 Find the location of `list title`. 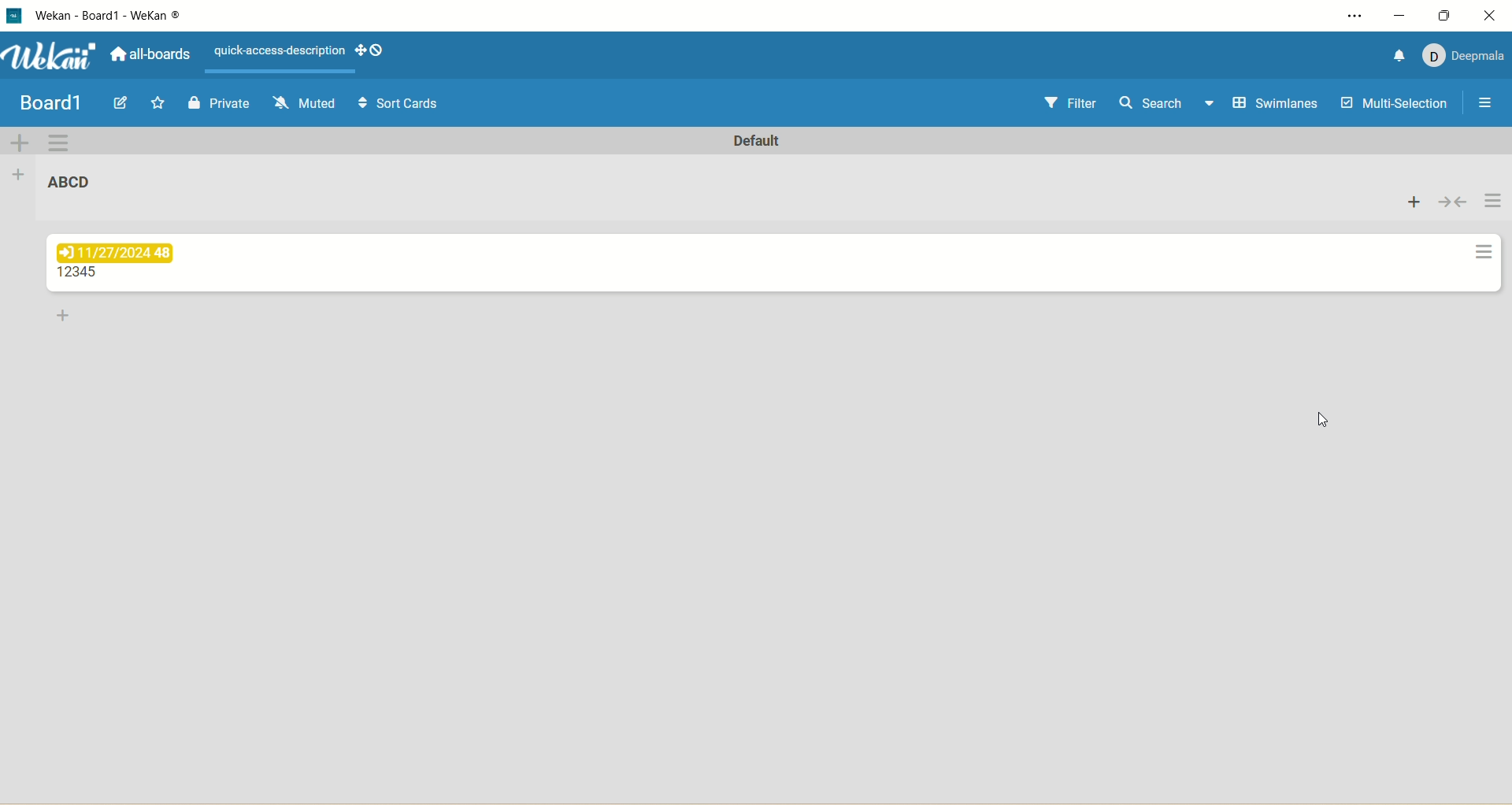

list title is located at coordinates (81, 273).